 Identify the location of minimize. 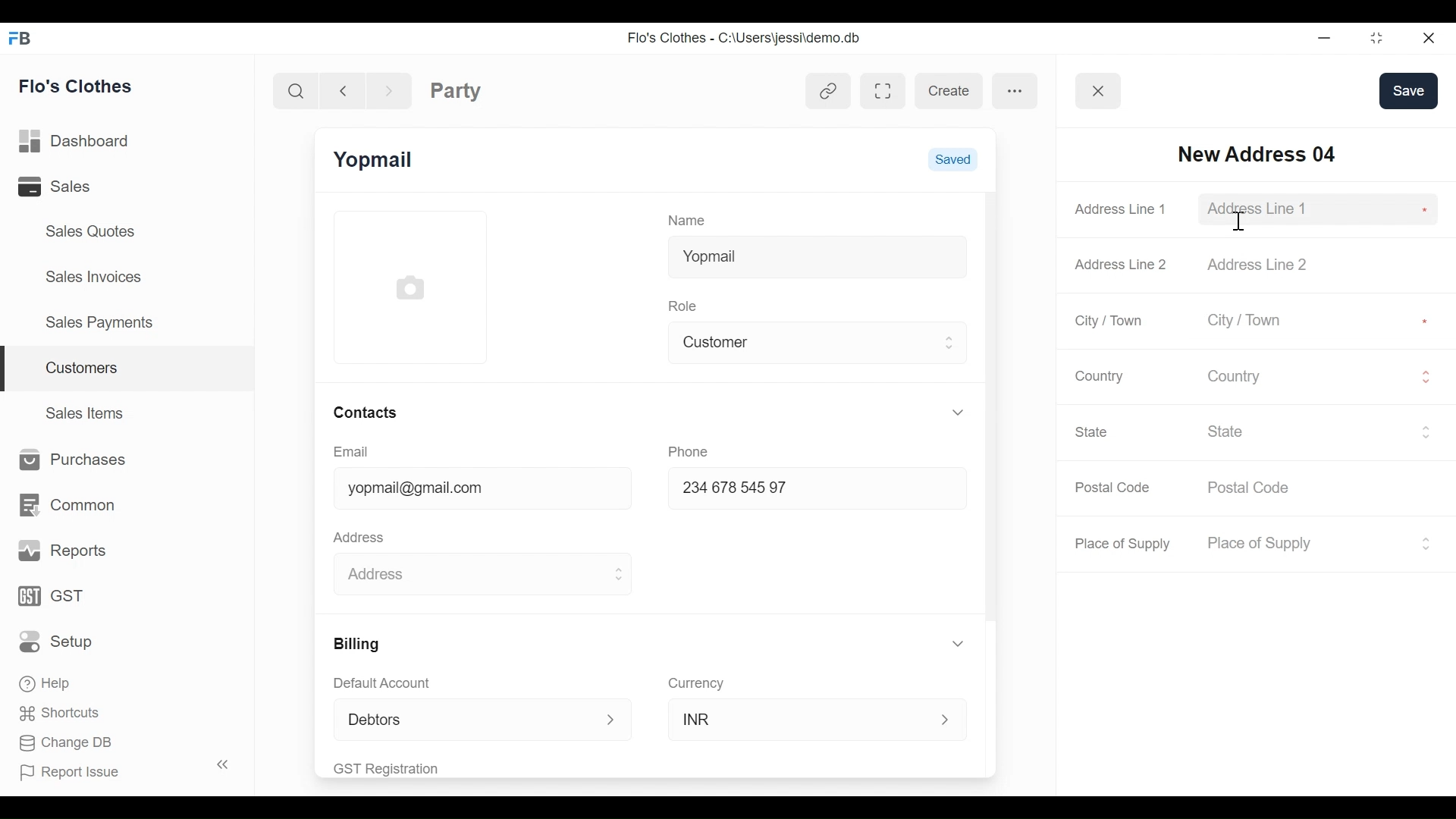
(1323, 37).